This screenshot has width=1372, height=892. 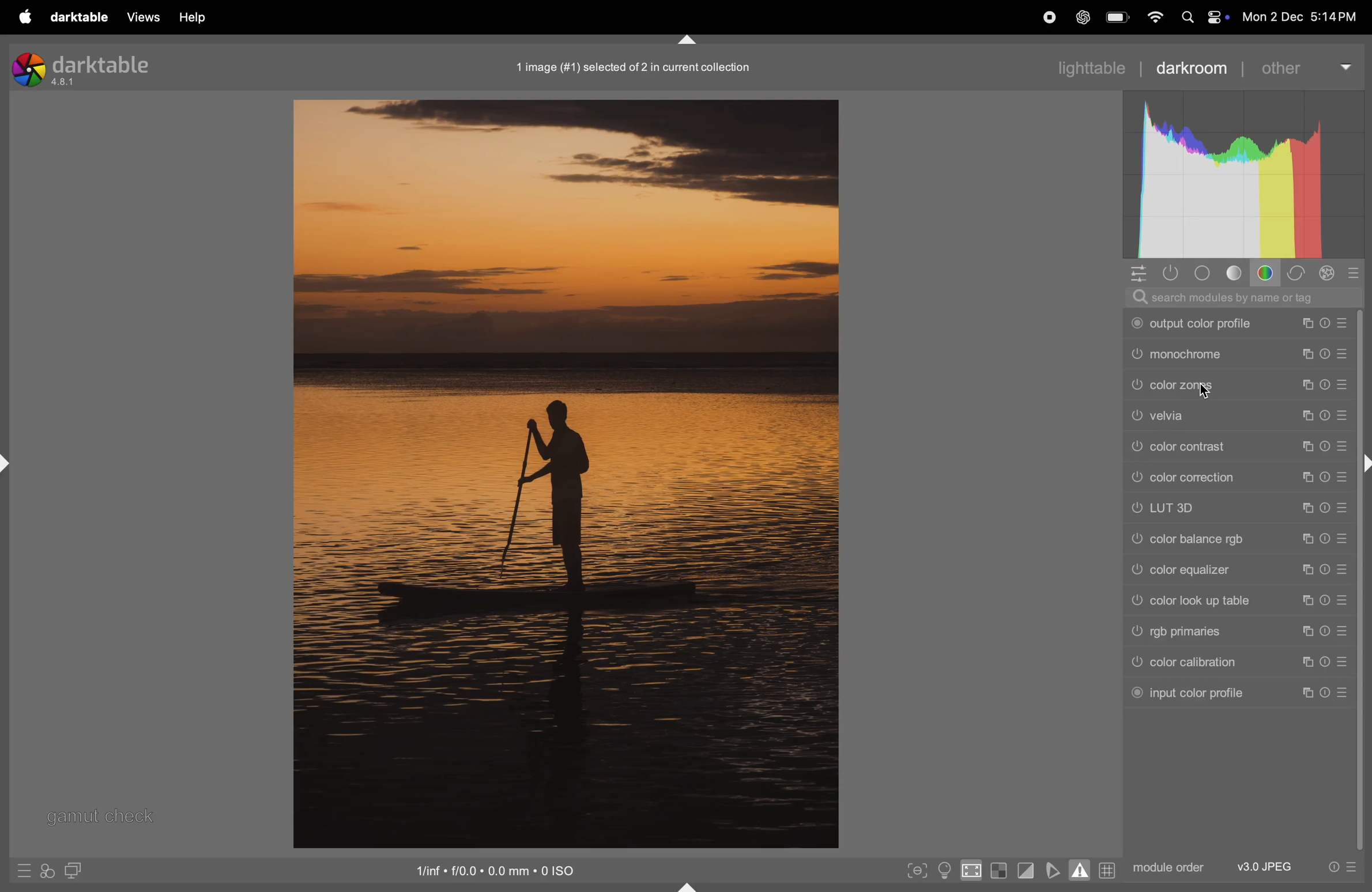 What do you see at coordinates (25, 870) in the screenshot?
I see `quick presets` at bounding box center [25, 870].